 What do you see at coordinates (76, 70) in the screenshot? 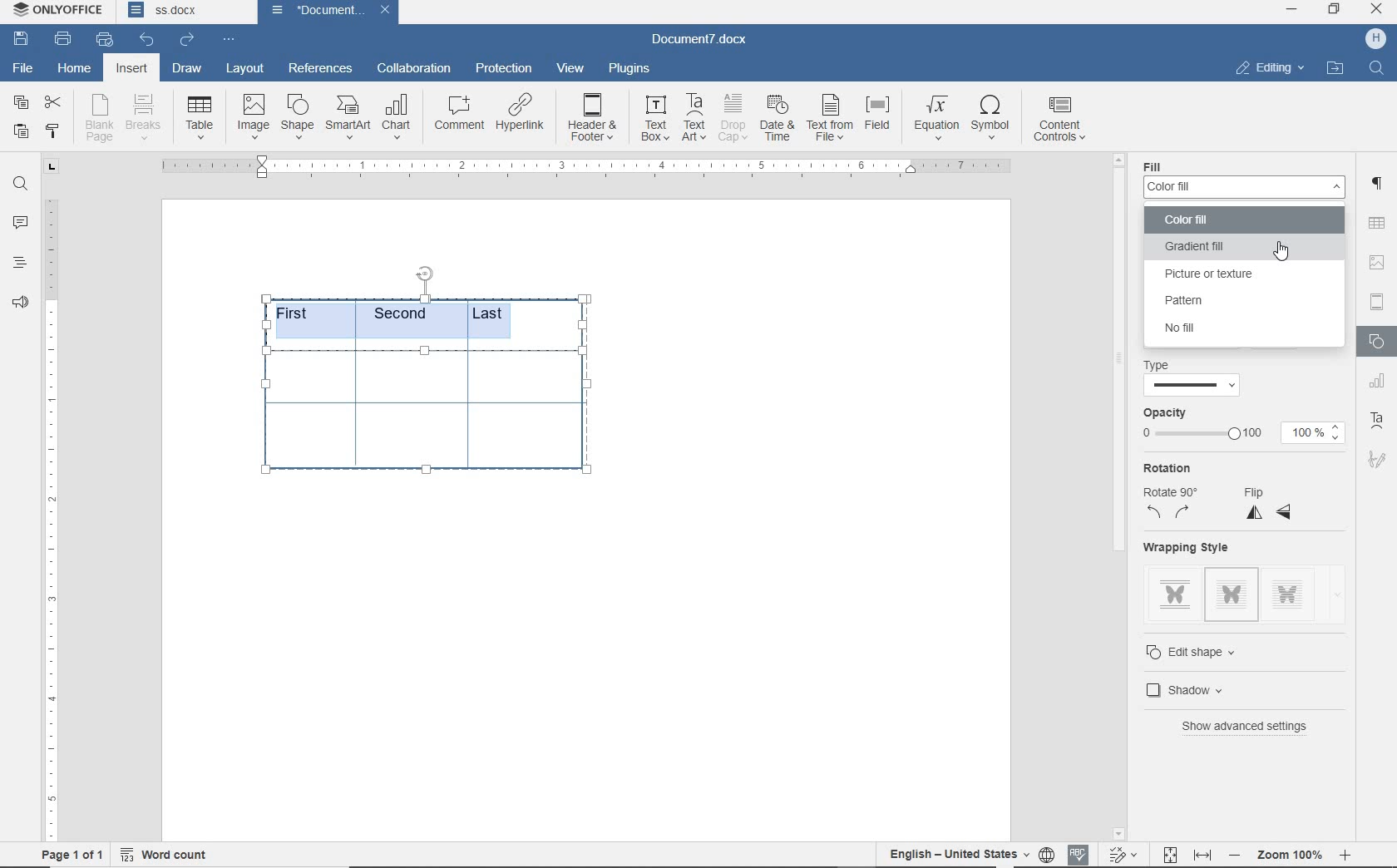
I see `home` at bounding box center [76, 70].